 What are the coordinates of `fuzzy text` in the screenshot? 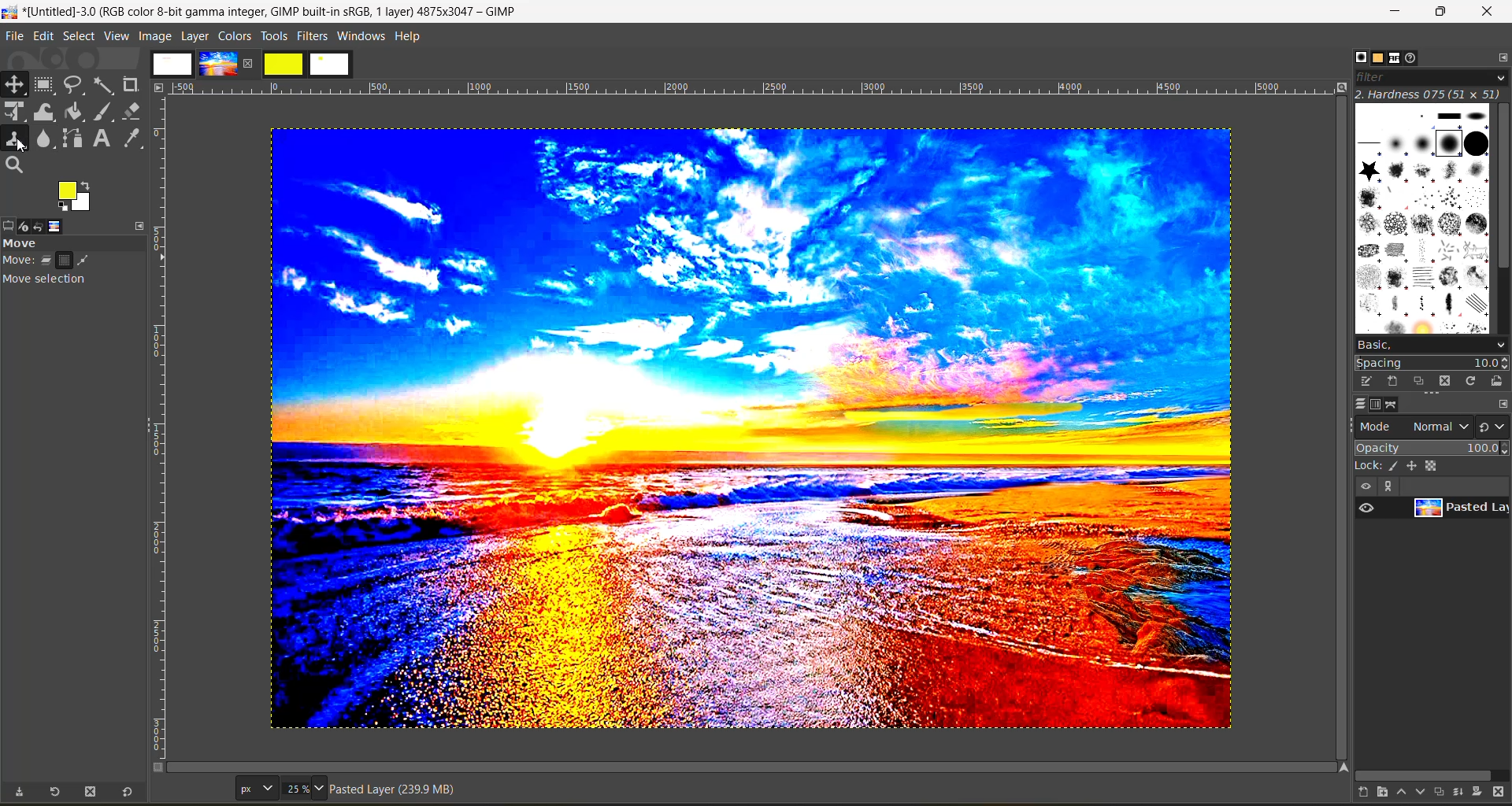 It's located at (105, 84).